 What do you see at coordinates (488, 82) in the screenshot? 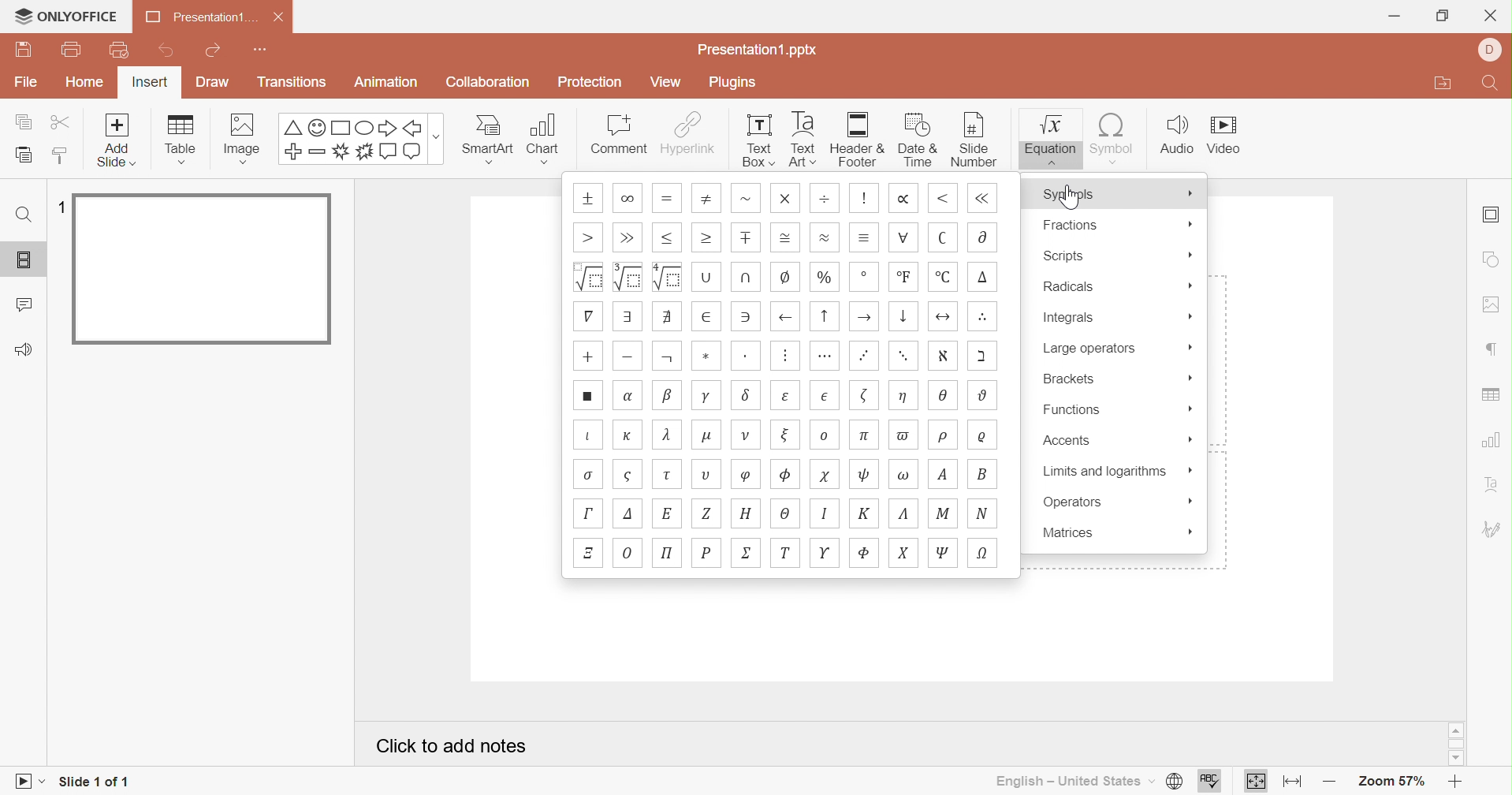
I see `Collaboration` at bounding box center [488, 82].